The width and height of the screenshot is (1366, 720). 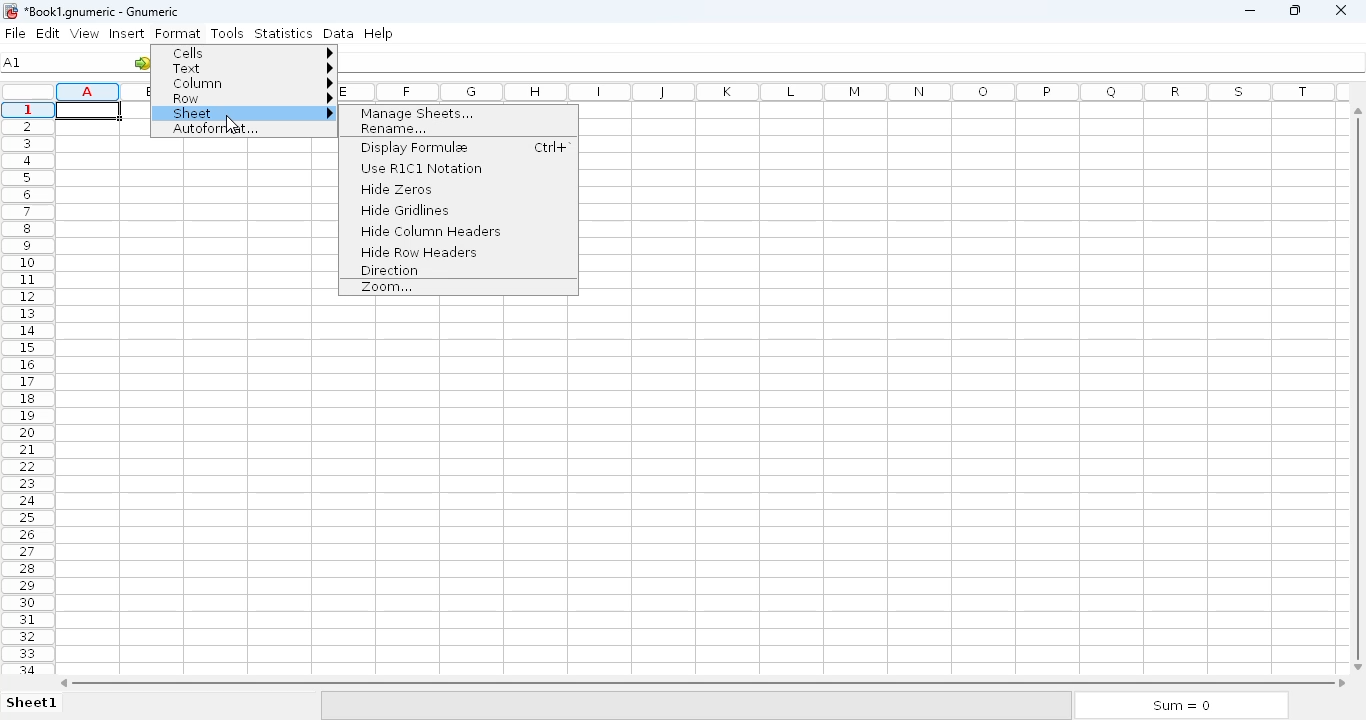 I want to click on data, so click(x=338, y=33).